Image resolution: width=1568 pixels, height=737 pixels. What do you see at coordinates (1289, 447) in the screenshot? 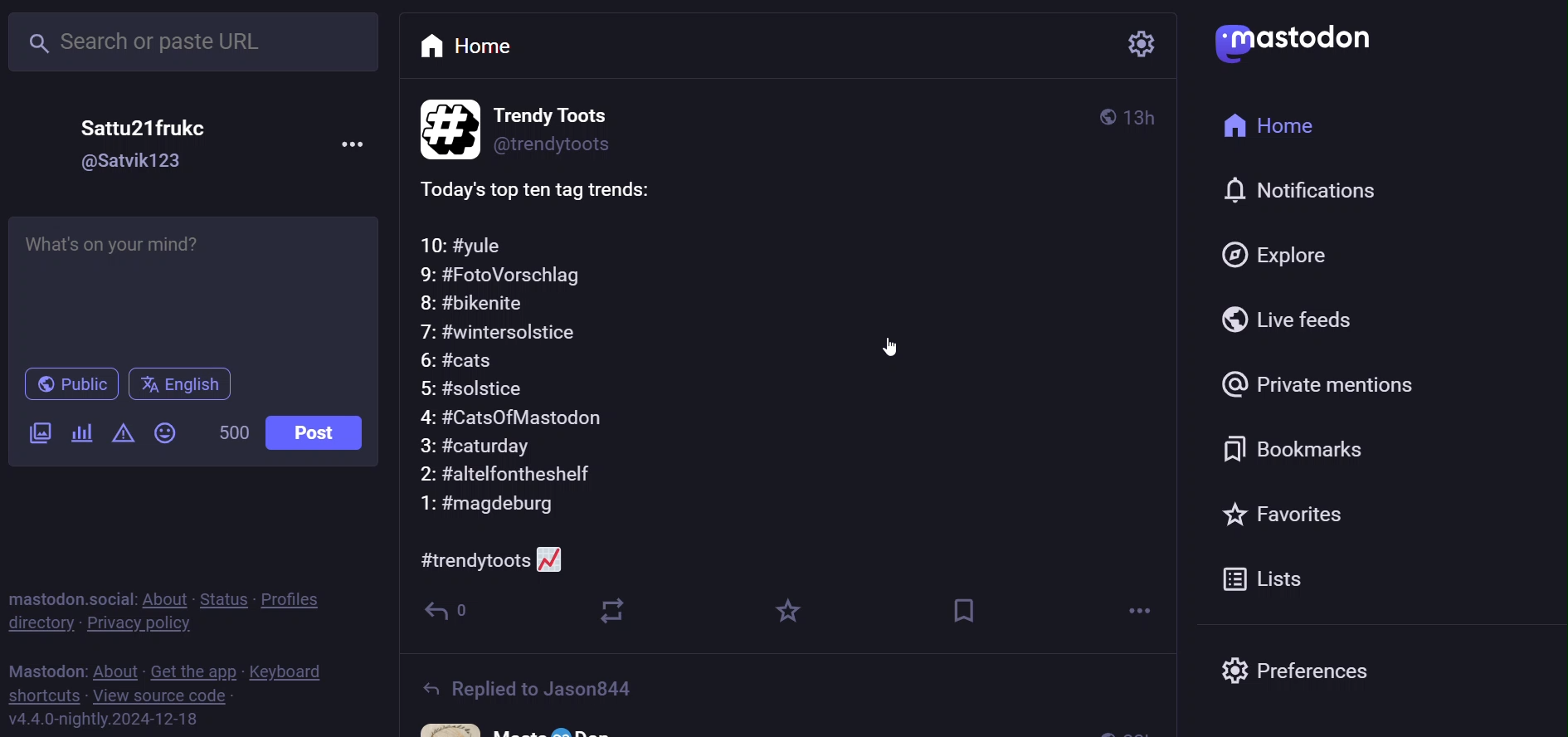
I see `bookmarks` at bounding box center [1289, 447].